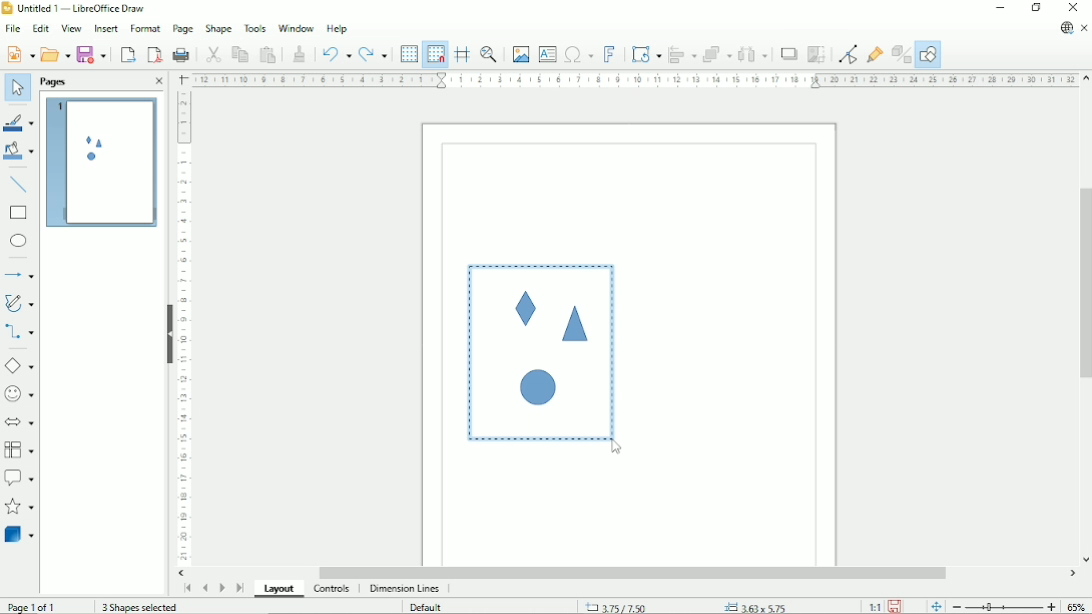 The height and width of the screenshot is (614, 1092). What do you see at coordinates (1086, 79) in the screenshot?
I see `Vertical scroll button` at bounding box center [1086, 79].